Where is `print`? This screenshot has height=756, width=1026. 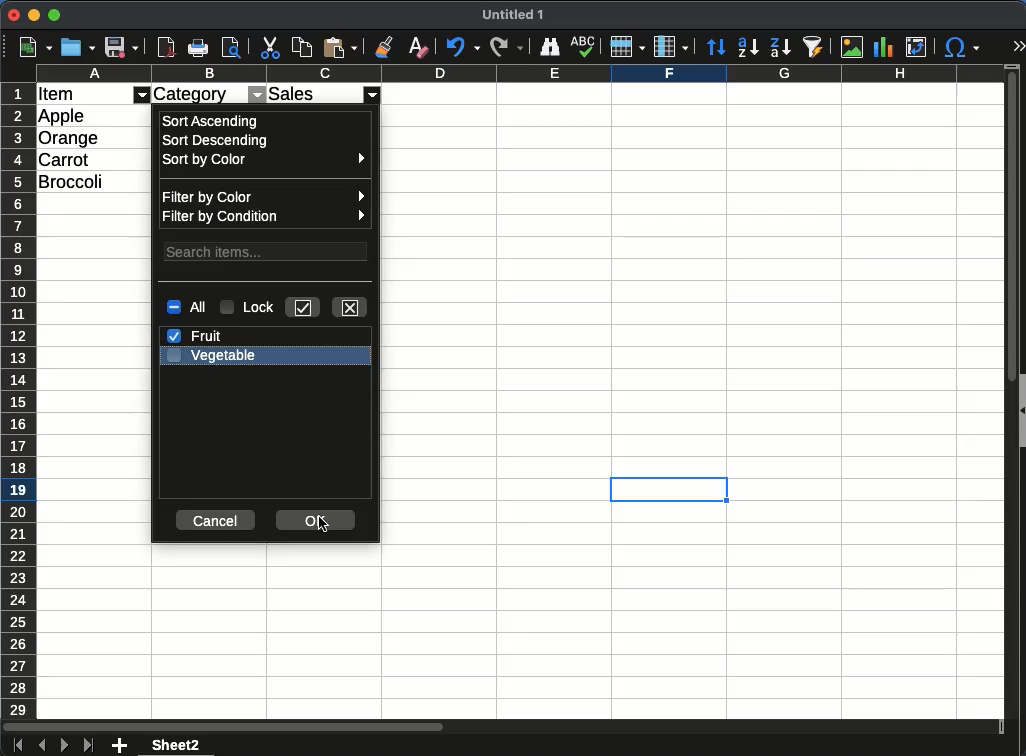 print is located at coordinates (231, 46).